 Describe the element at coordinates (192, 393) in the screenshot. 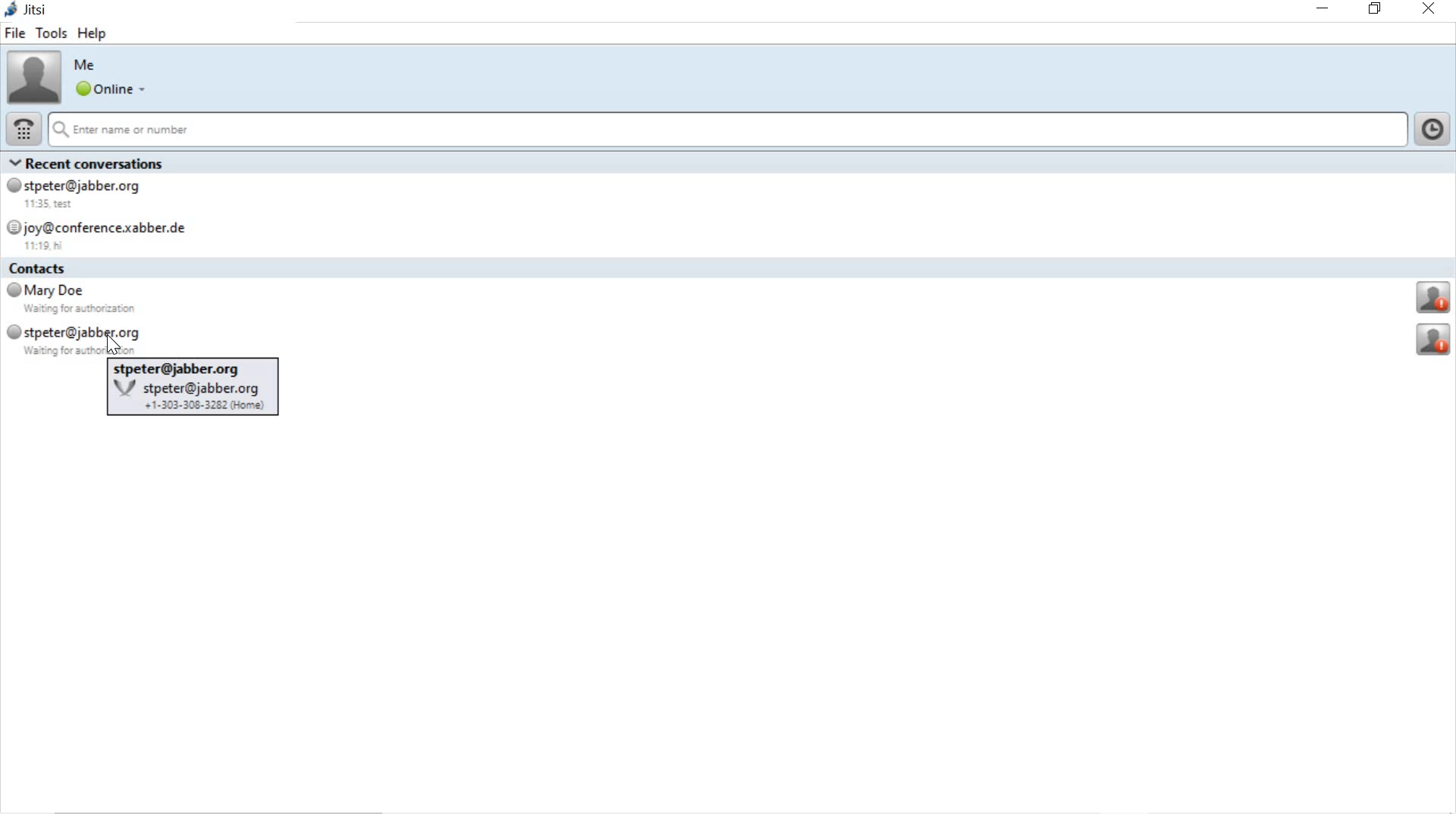

I see `stpeter@jabber.org
\/ stpeter@jabber.org
+1-303-308-3282 (Home)` at that location.